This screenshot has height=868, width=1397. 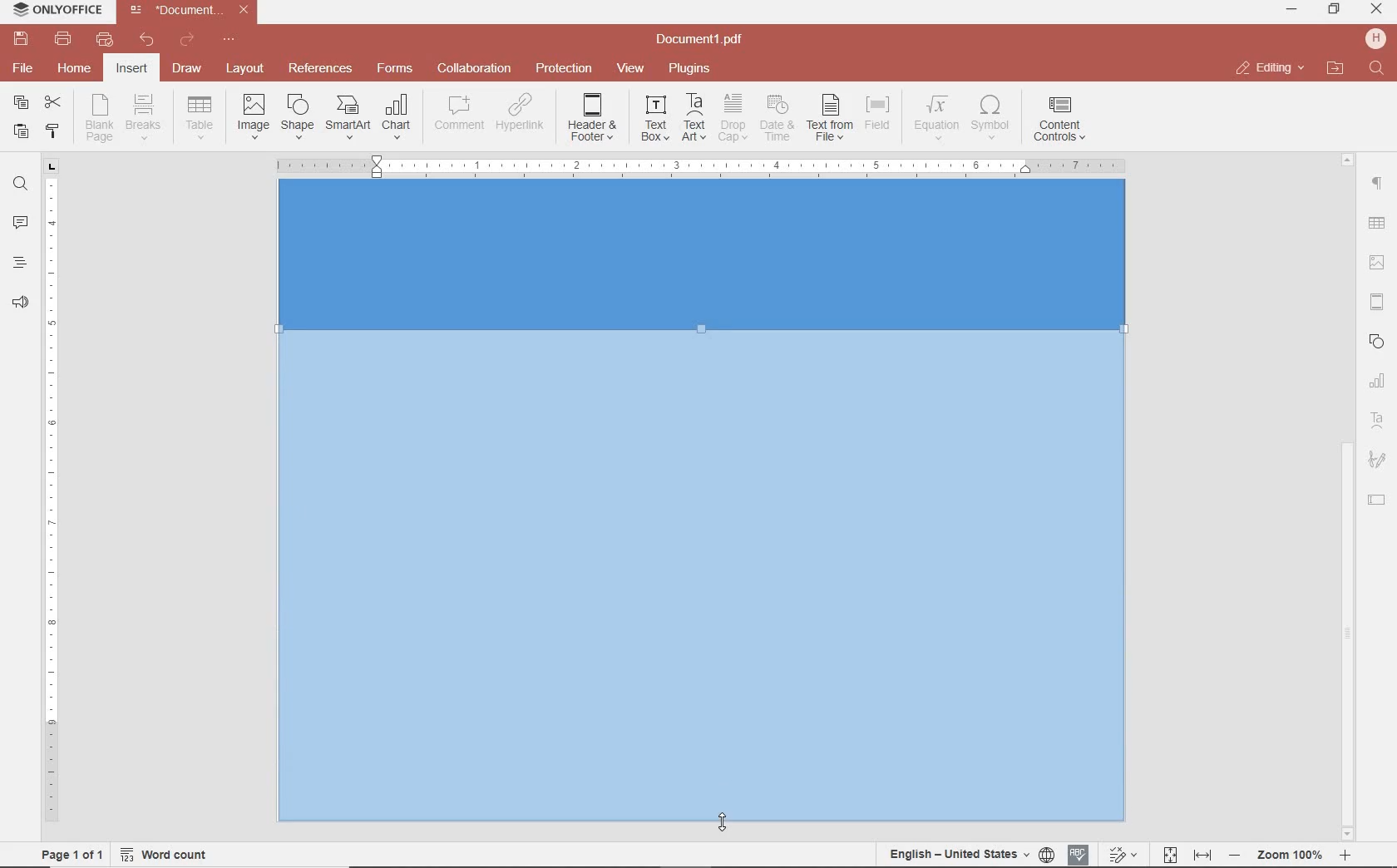 I want to click on file name, so click(x=193, y=10).